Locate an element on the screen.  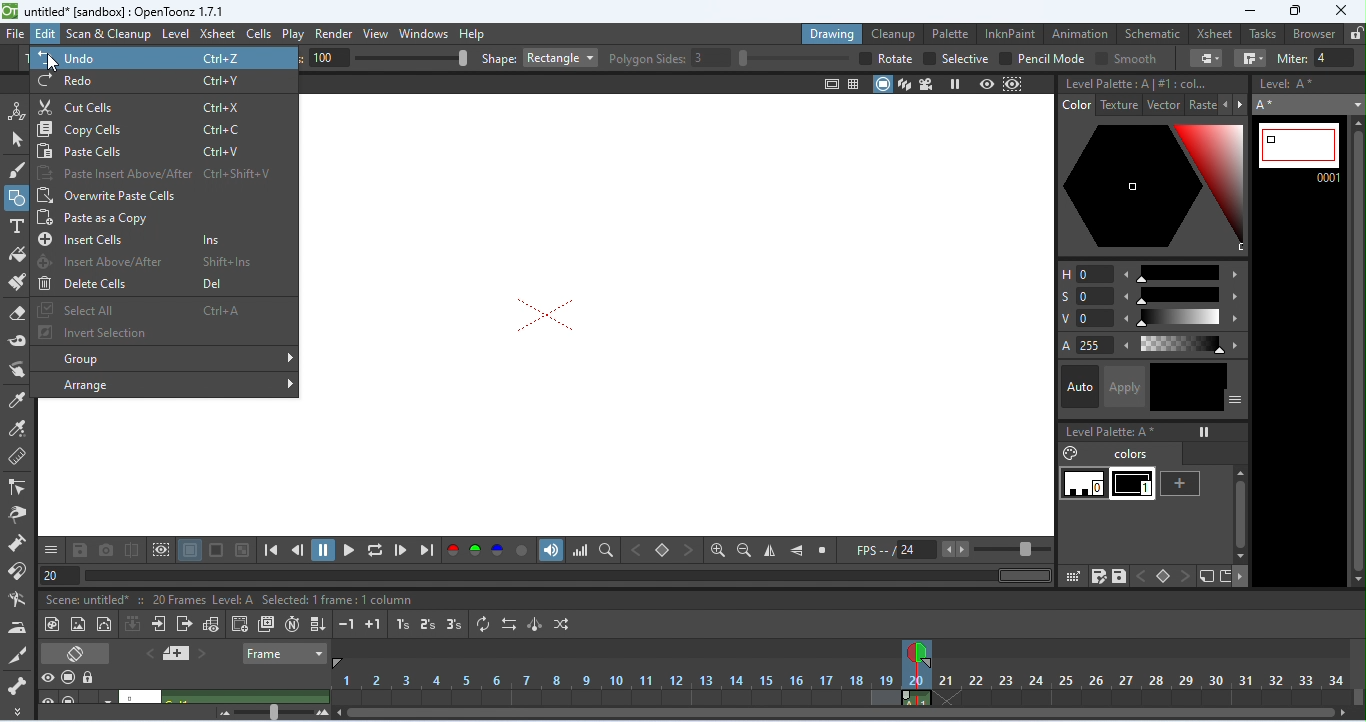
repeat is located at coordinates (484, 624).